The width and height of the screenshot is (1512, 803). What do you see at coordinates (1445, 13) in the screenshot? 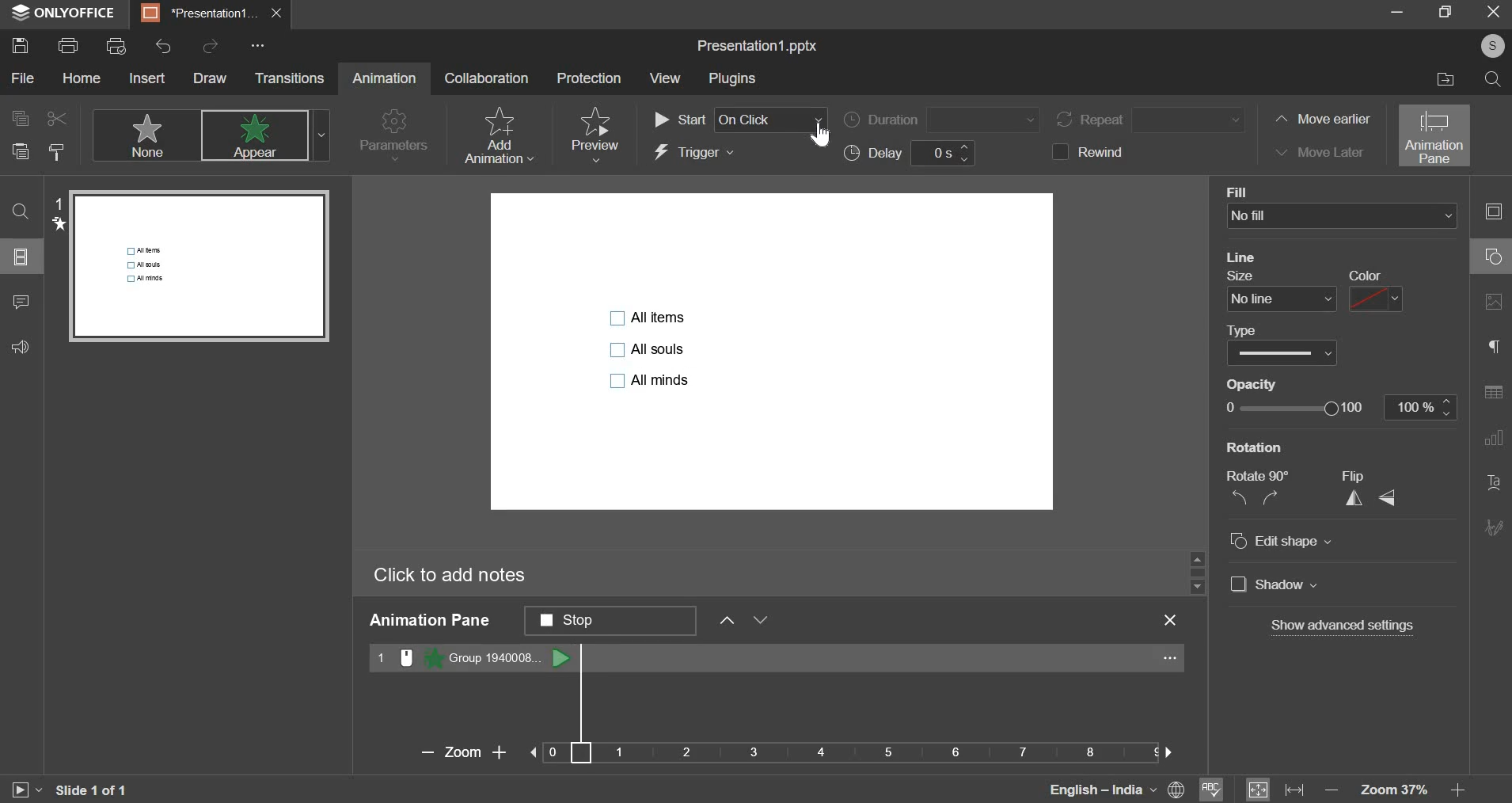
I see `maximize` at bounding box center [1445, 13].